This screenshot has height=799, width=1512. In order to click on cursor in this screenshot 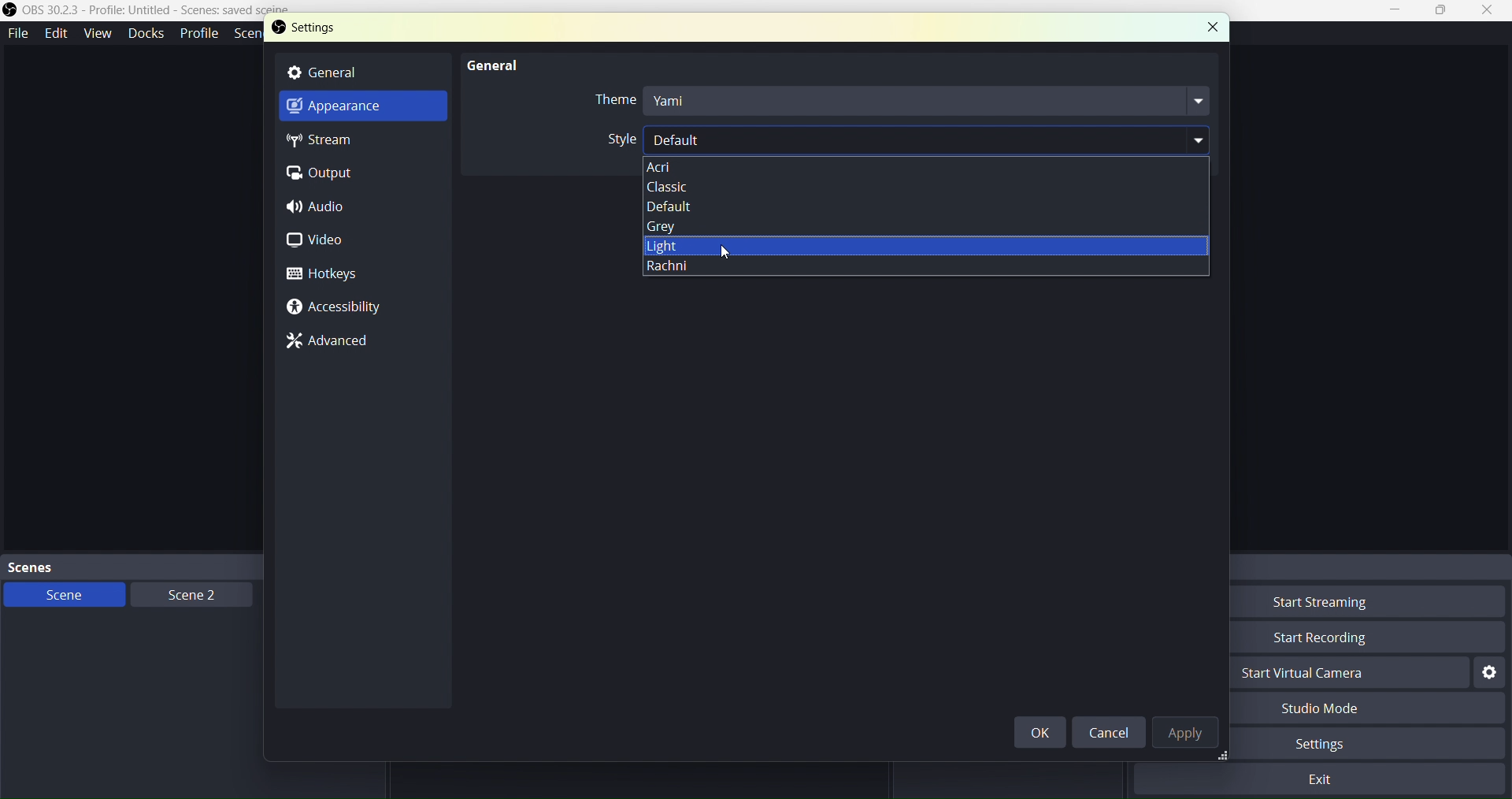, I will do `click(736, 264)`.